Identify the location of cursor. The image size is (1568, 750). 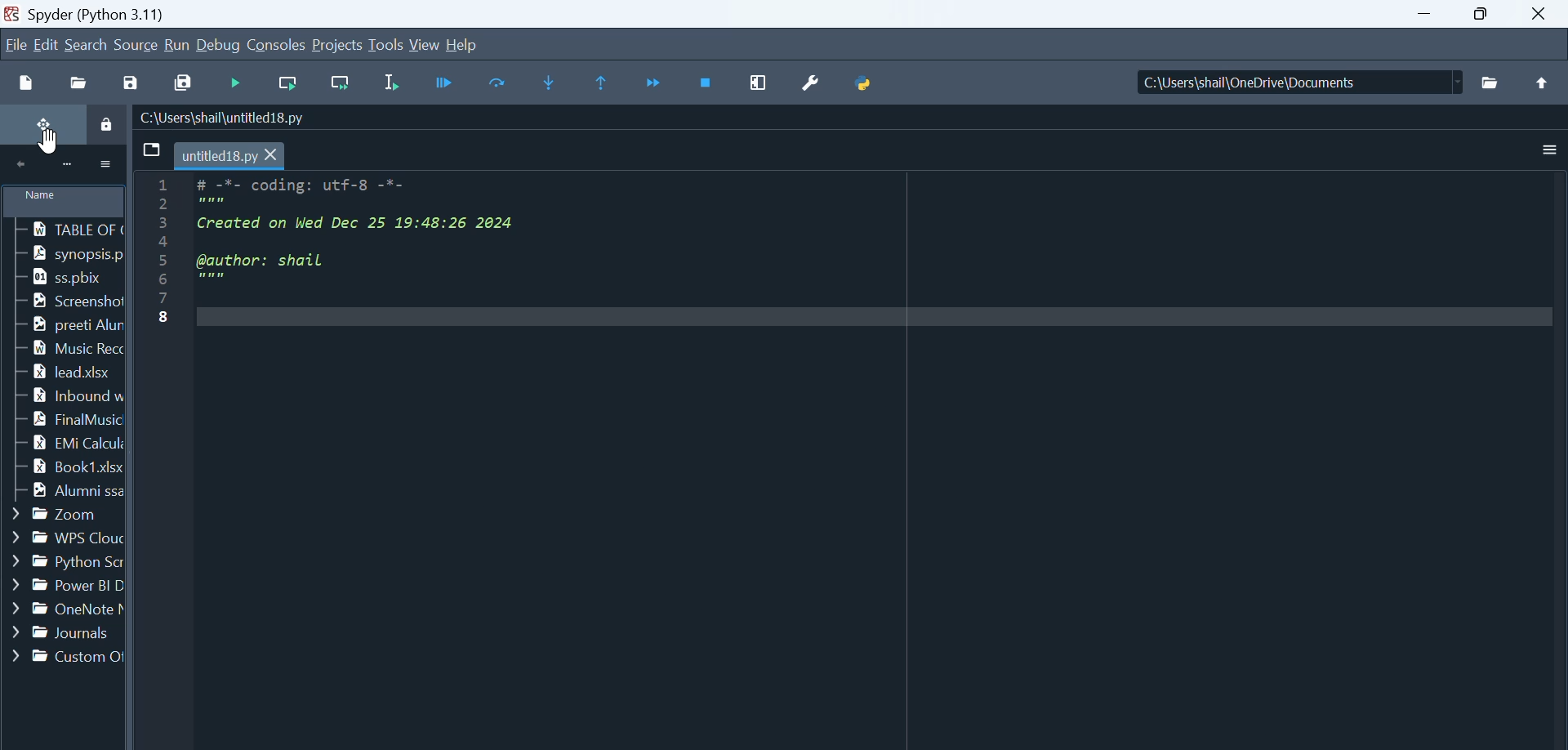
(51, 143).